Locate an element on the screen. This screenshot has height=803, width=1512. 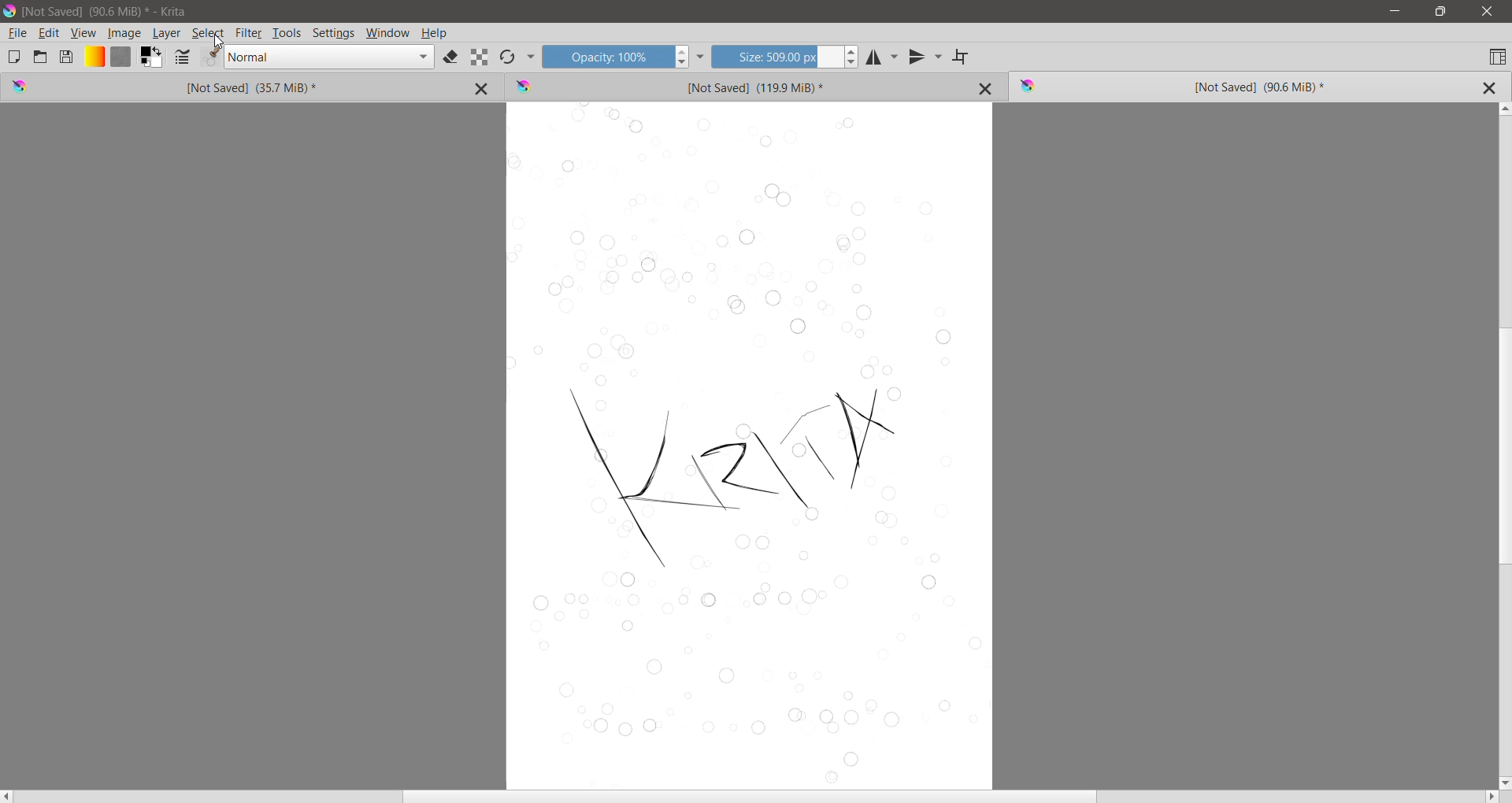
Close is located at coordinates (1488, 12).